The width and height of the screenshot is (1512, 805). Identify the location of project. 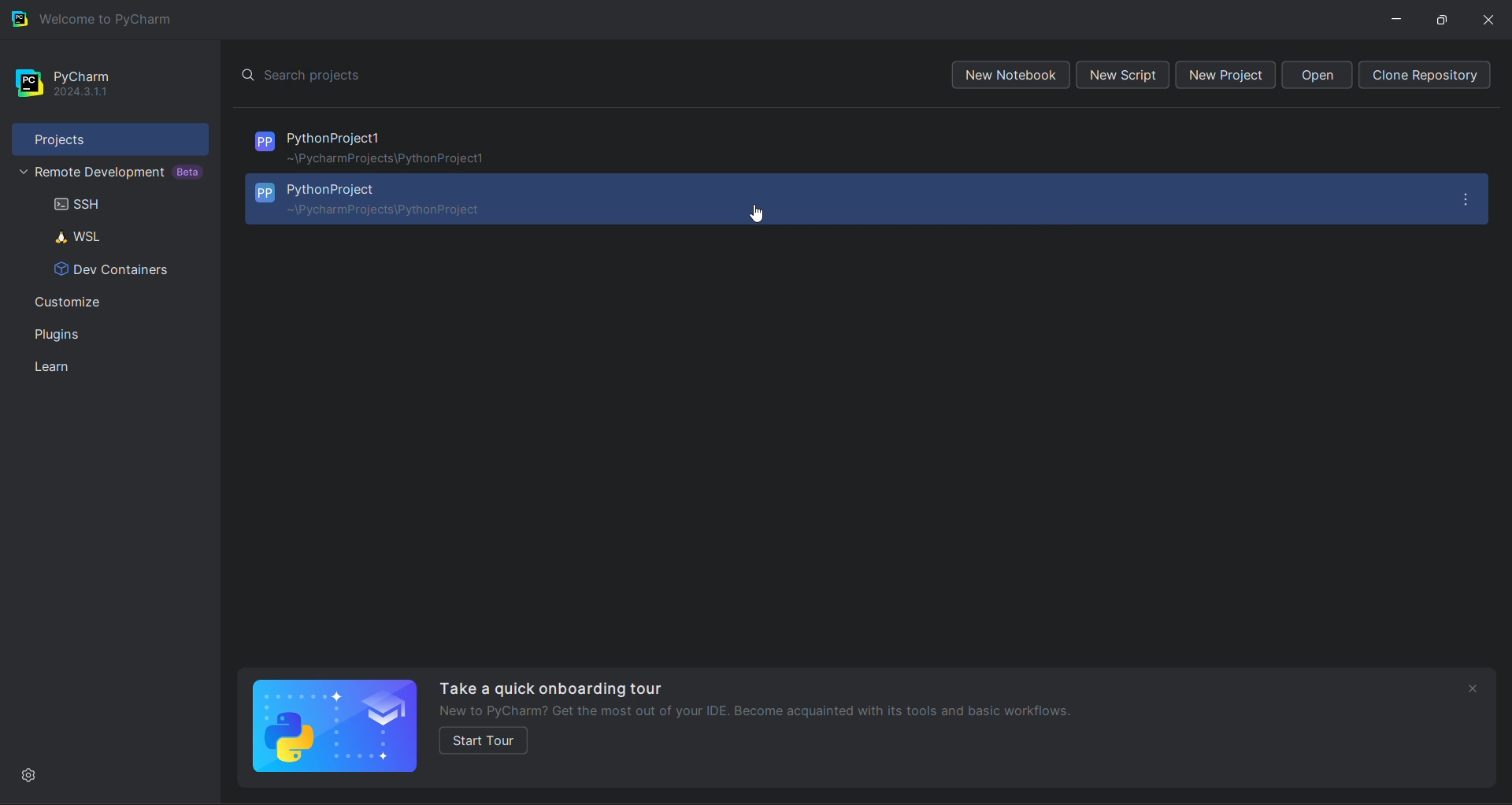
(108, 135).